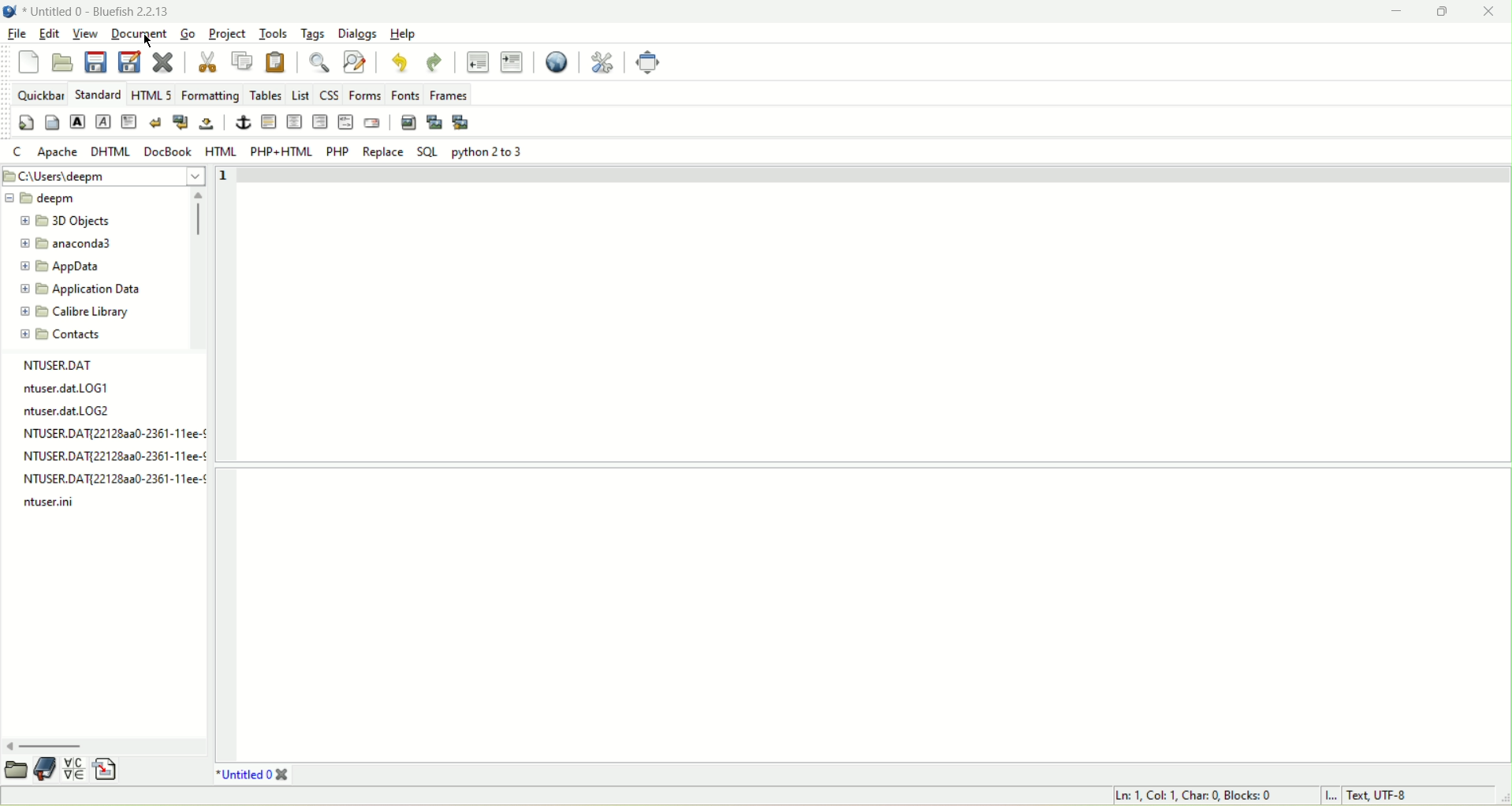 This screenshot has width=1512, height=806. I want to click on fullscreen, so click(647, 62).